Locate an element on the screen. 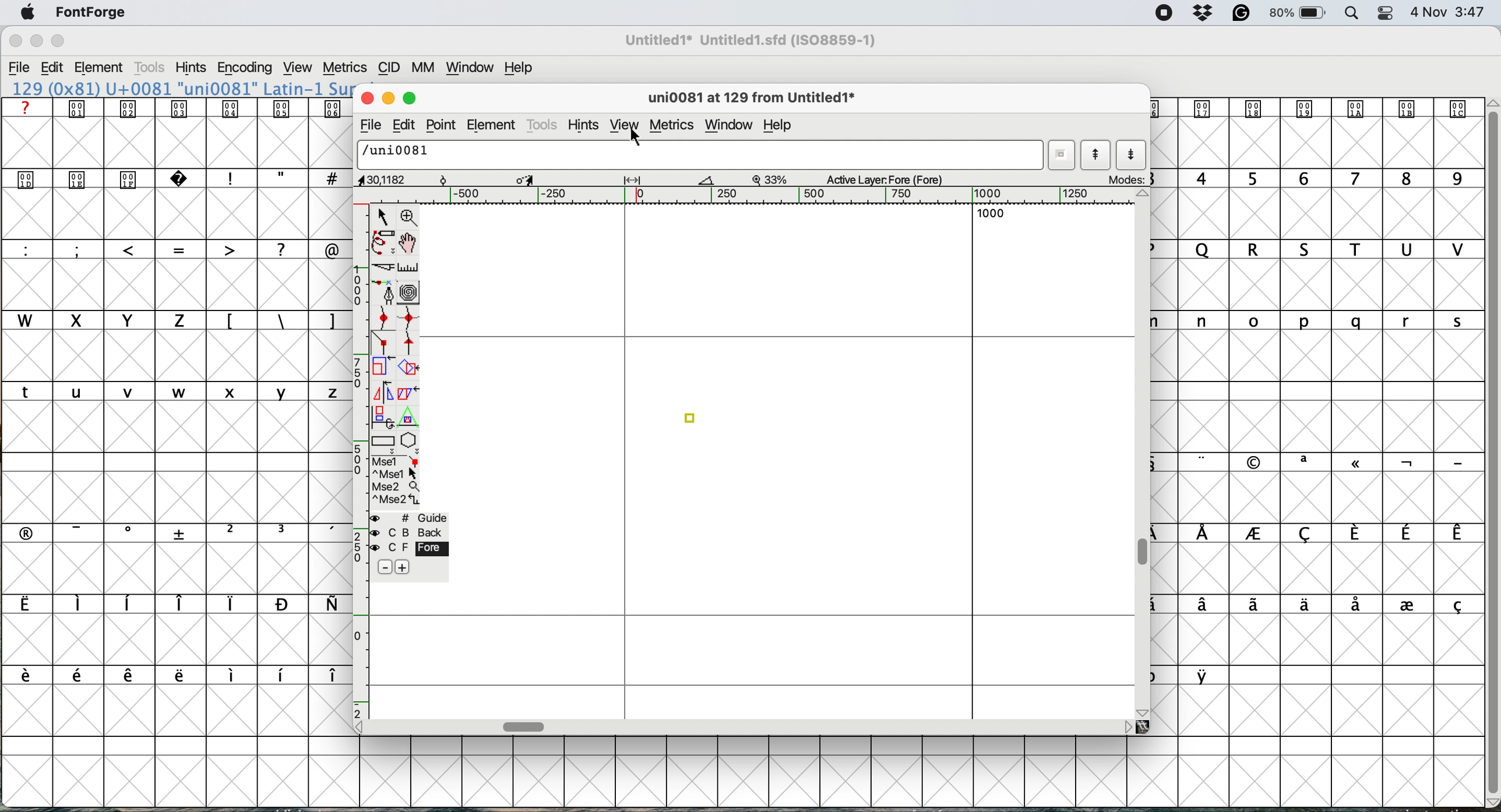 The height and width of the screenshot is (812, 1501). Close is located at coordinates (16, 41).